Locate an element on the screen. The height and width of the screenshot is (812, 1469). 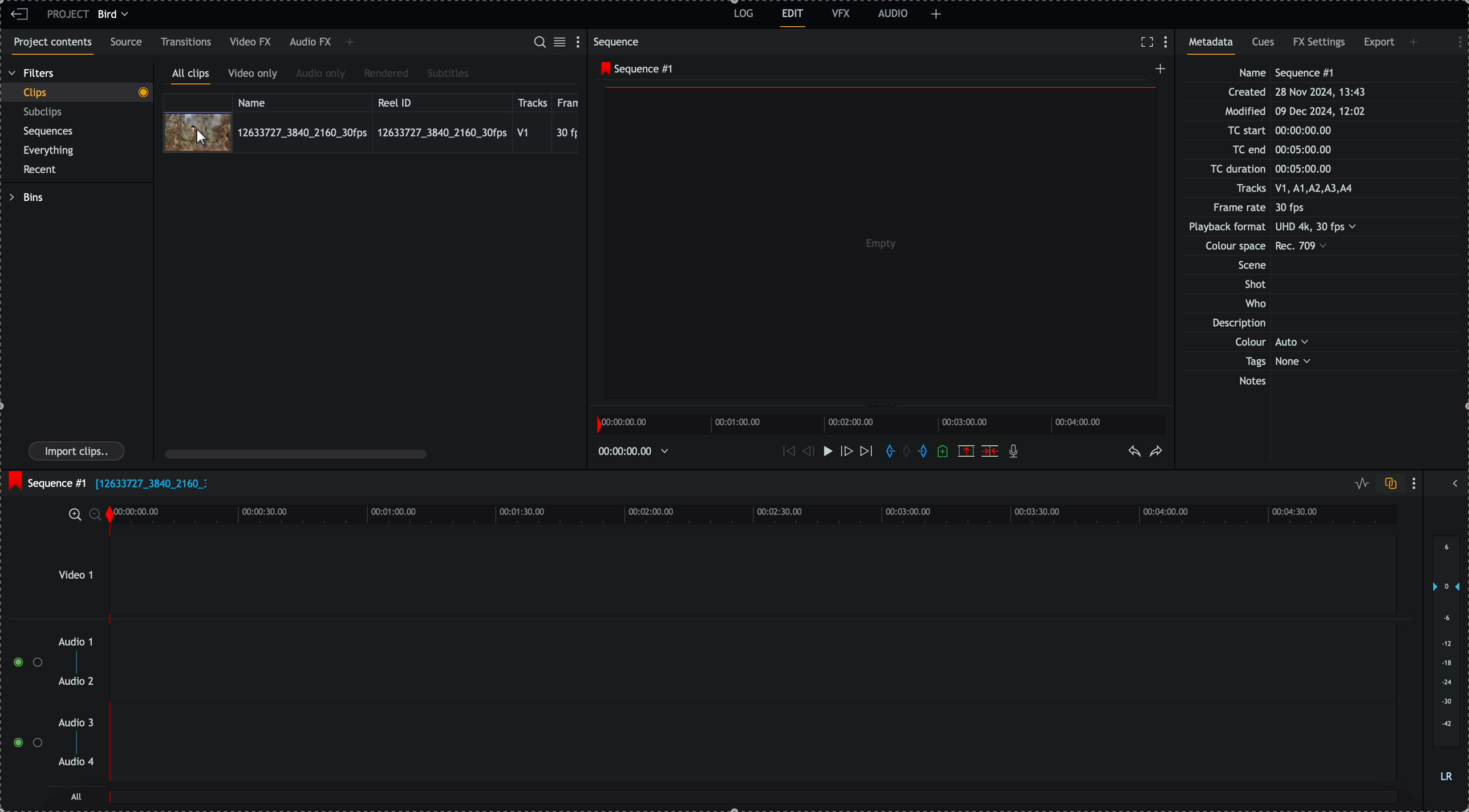
metadata is located at coordinates (1284, 228).